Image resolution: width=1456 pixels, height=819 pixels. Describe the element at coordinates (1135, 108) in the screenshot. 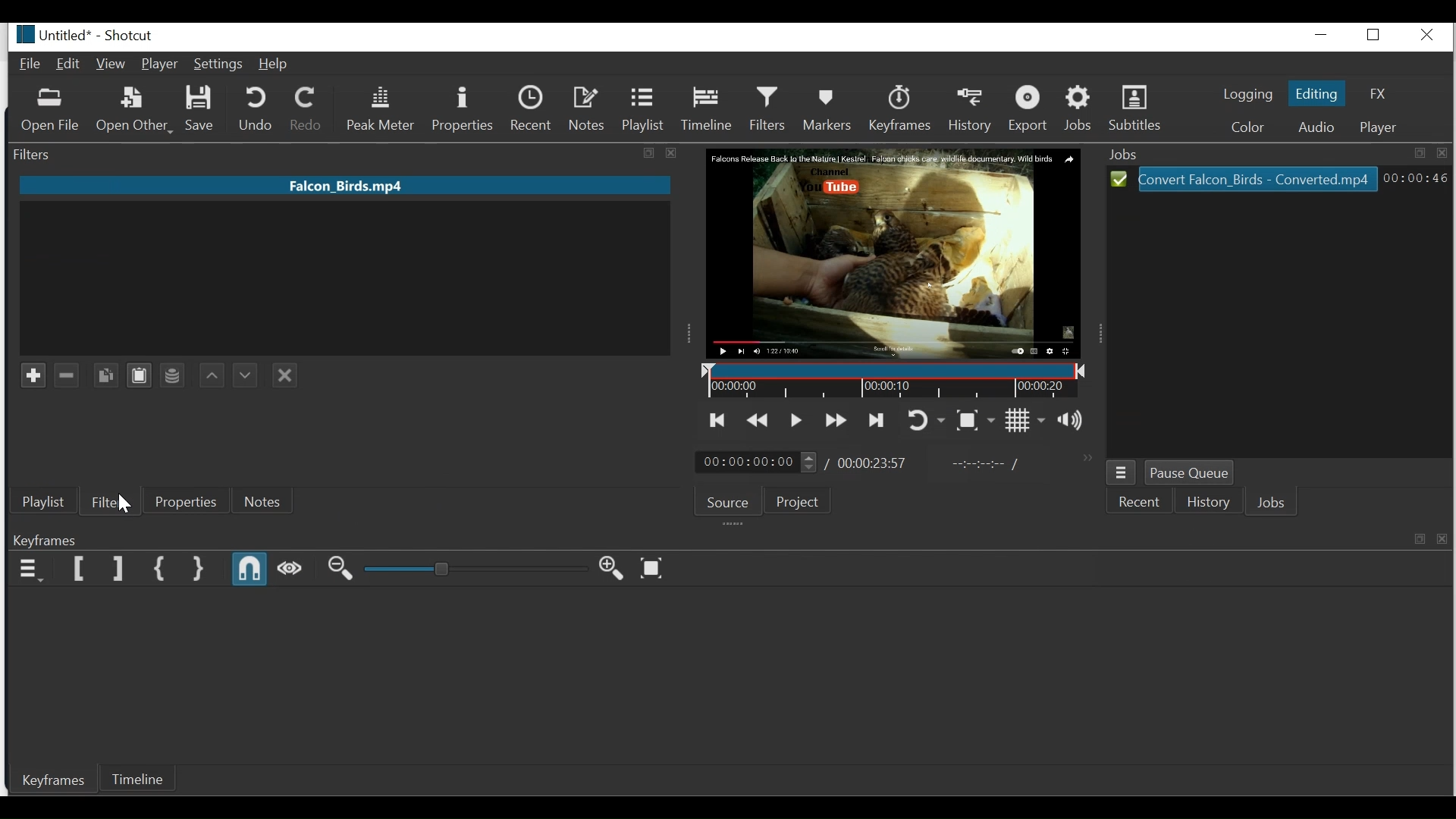

I see `Subtitles` at that location.